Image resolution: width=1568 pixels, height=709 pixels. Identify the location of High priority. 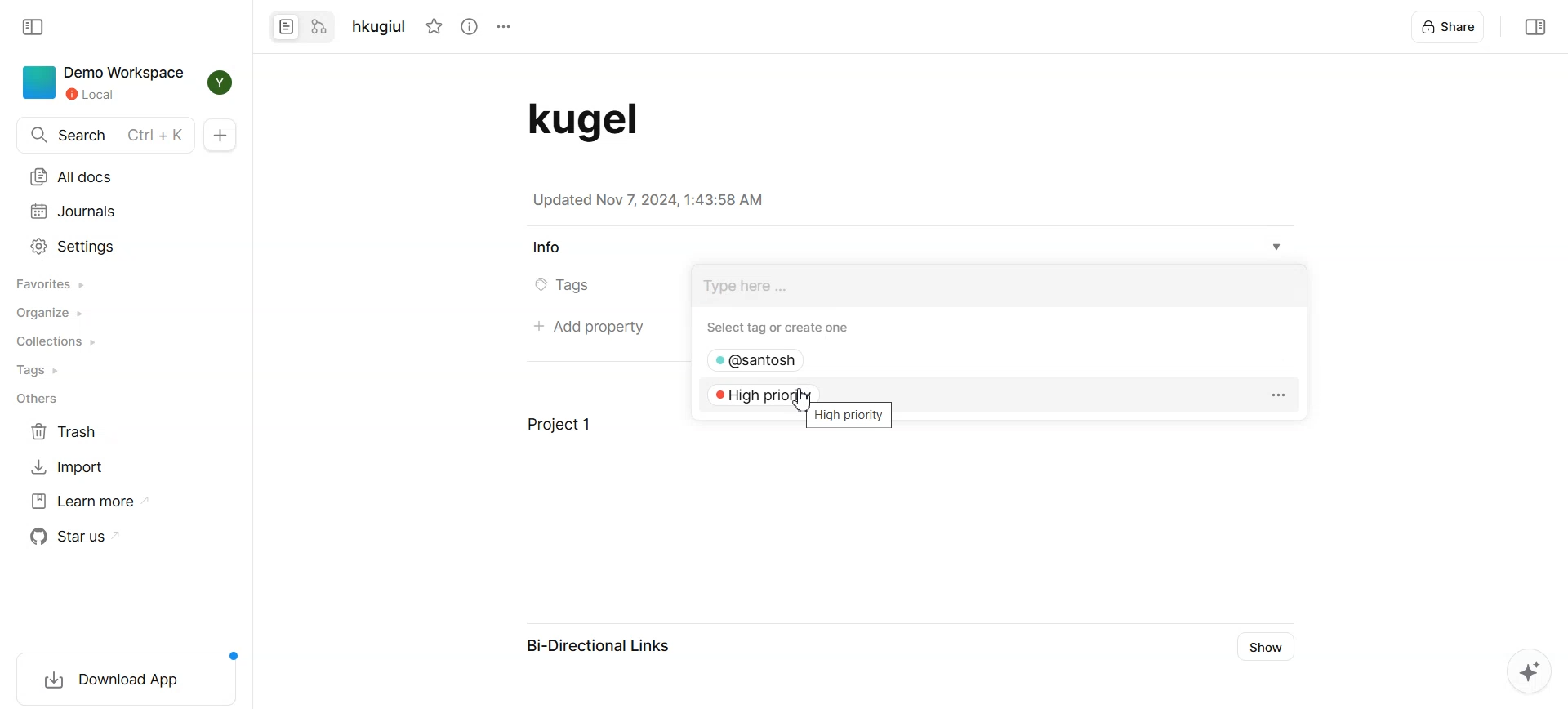
(801, 395).